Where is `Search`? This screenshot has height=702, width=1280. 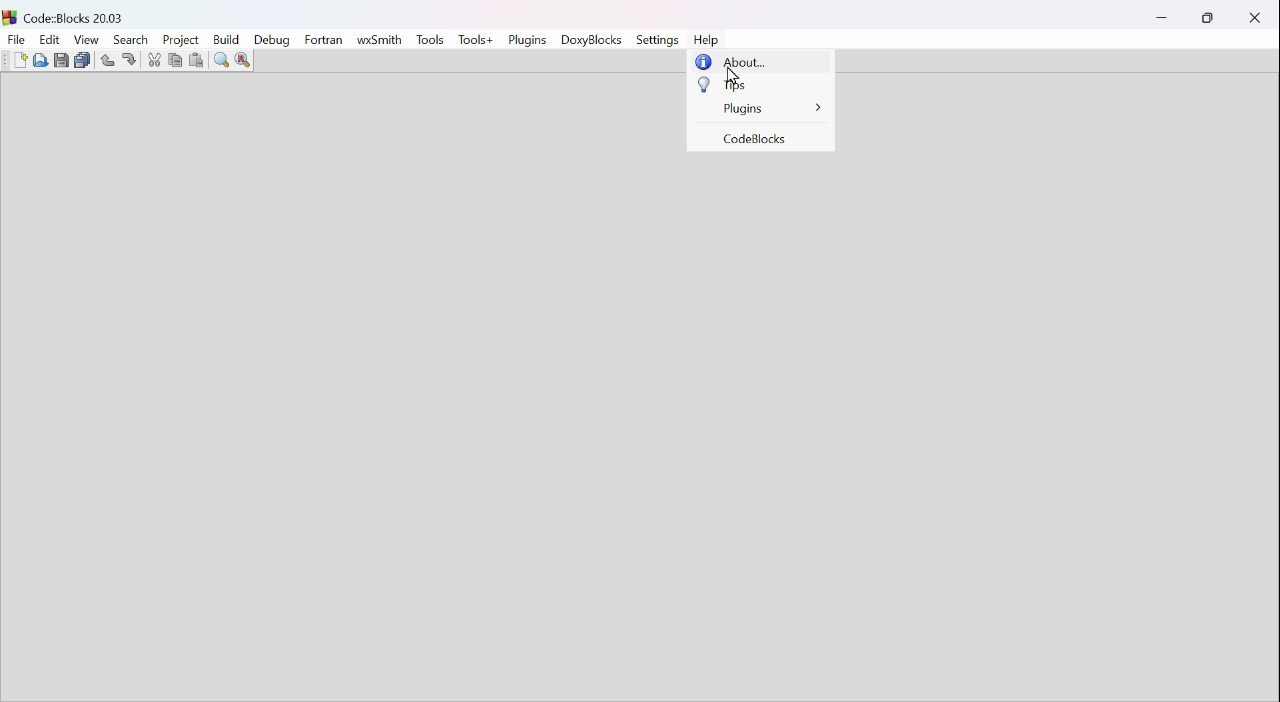 Search is located at coordinates (131, 39).